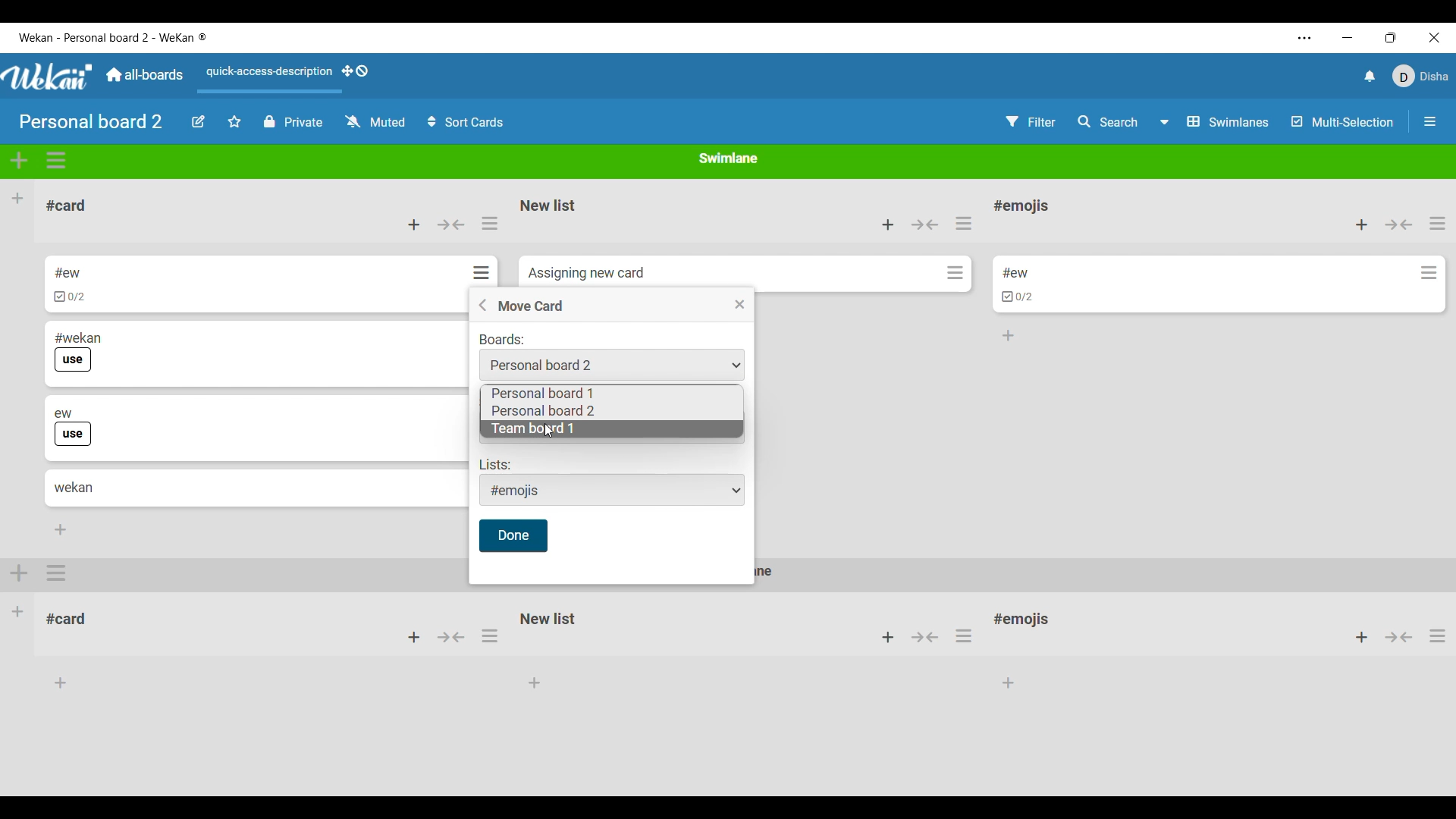 The image size is (1456, 819). Describe the element at coordinates (482, 305) in the screenshot. I see `Go back` at that location.